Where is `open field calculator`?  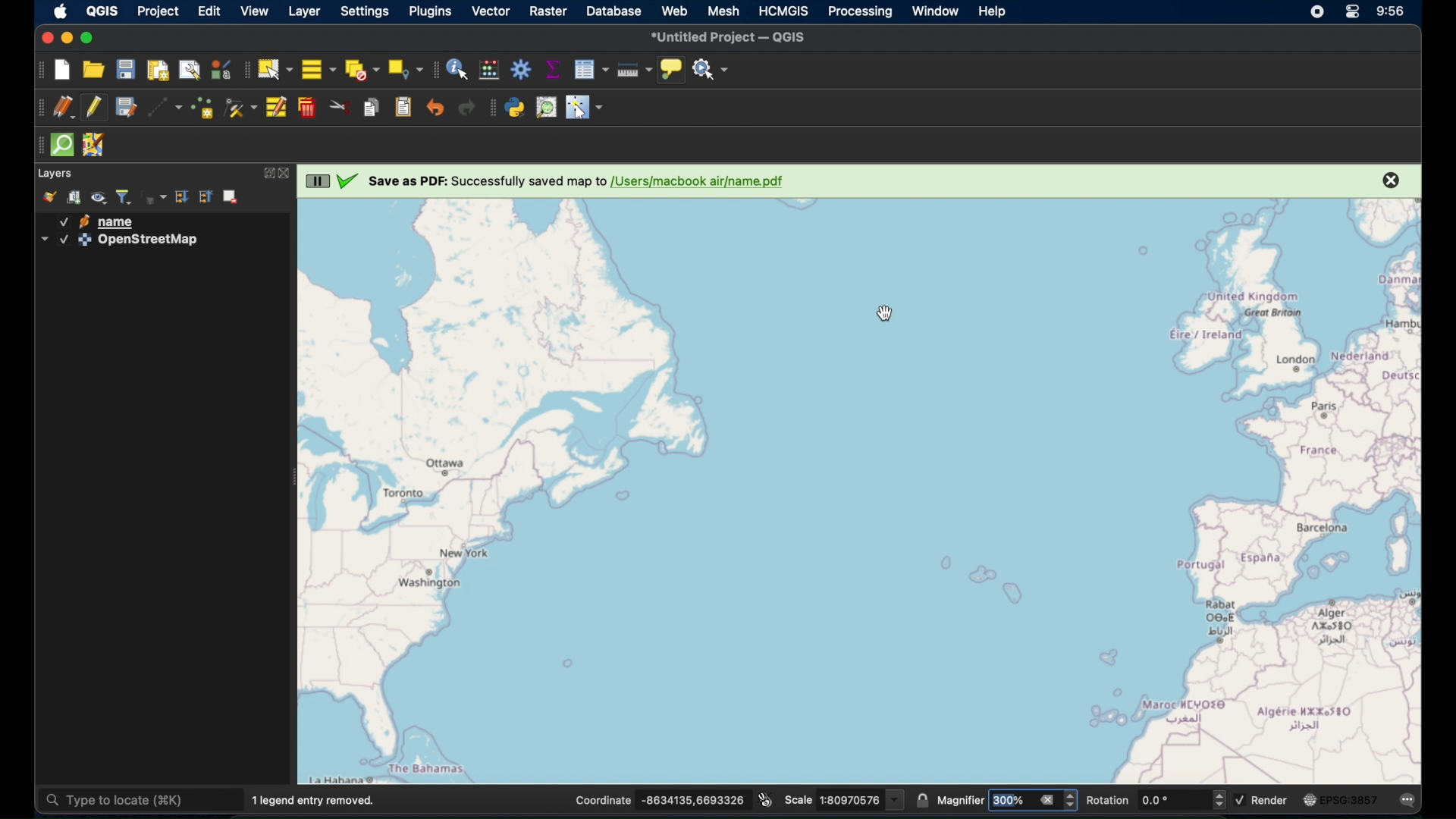 open field calculator is located at coordinates (488, 70).